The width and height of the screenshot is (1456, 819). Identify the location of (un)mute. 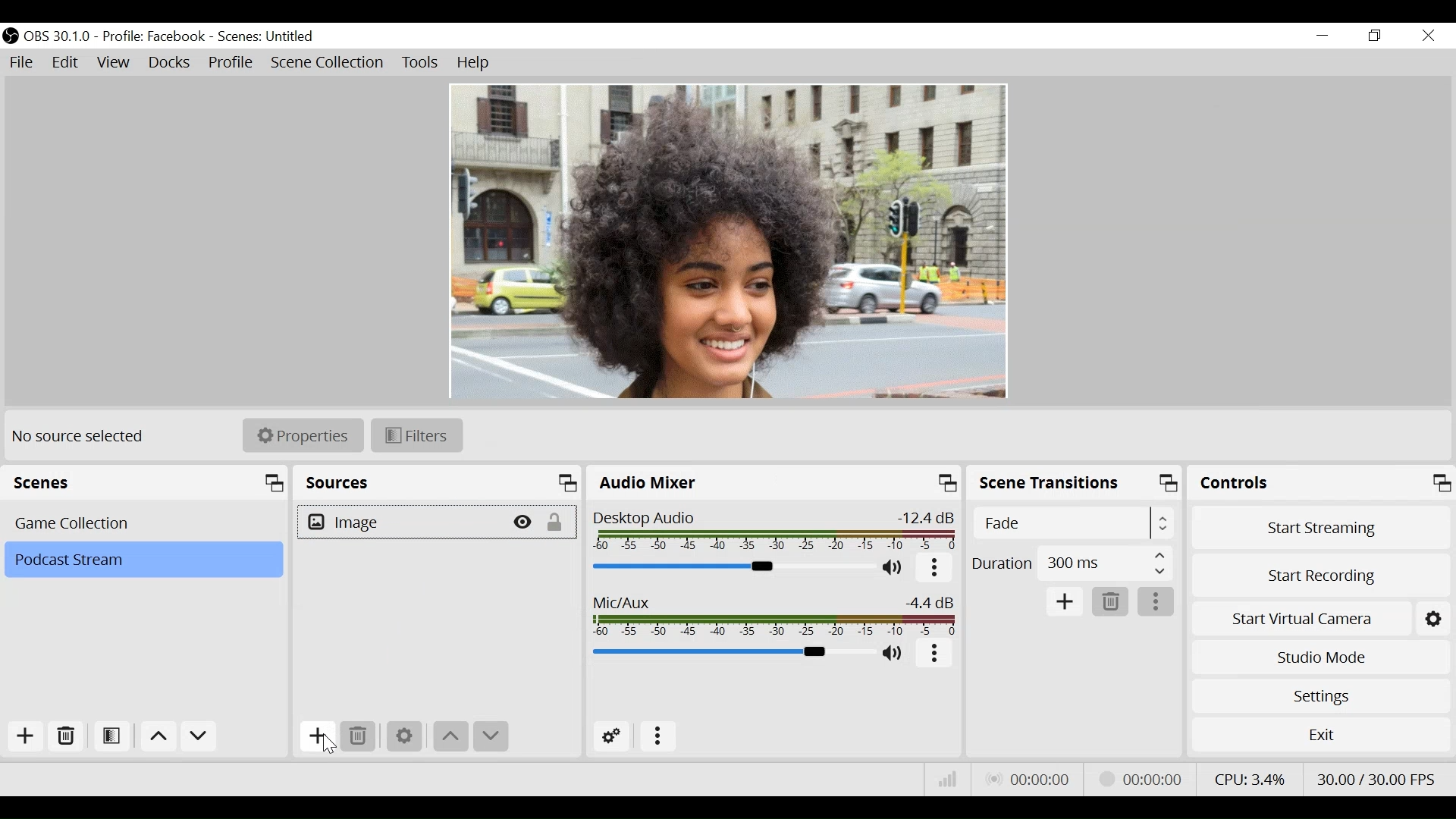
(895, 654).